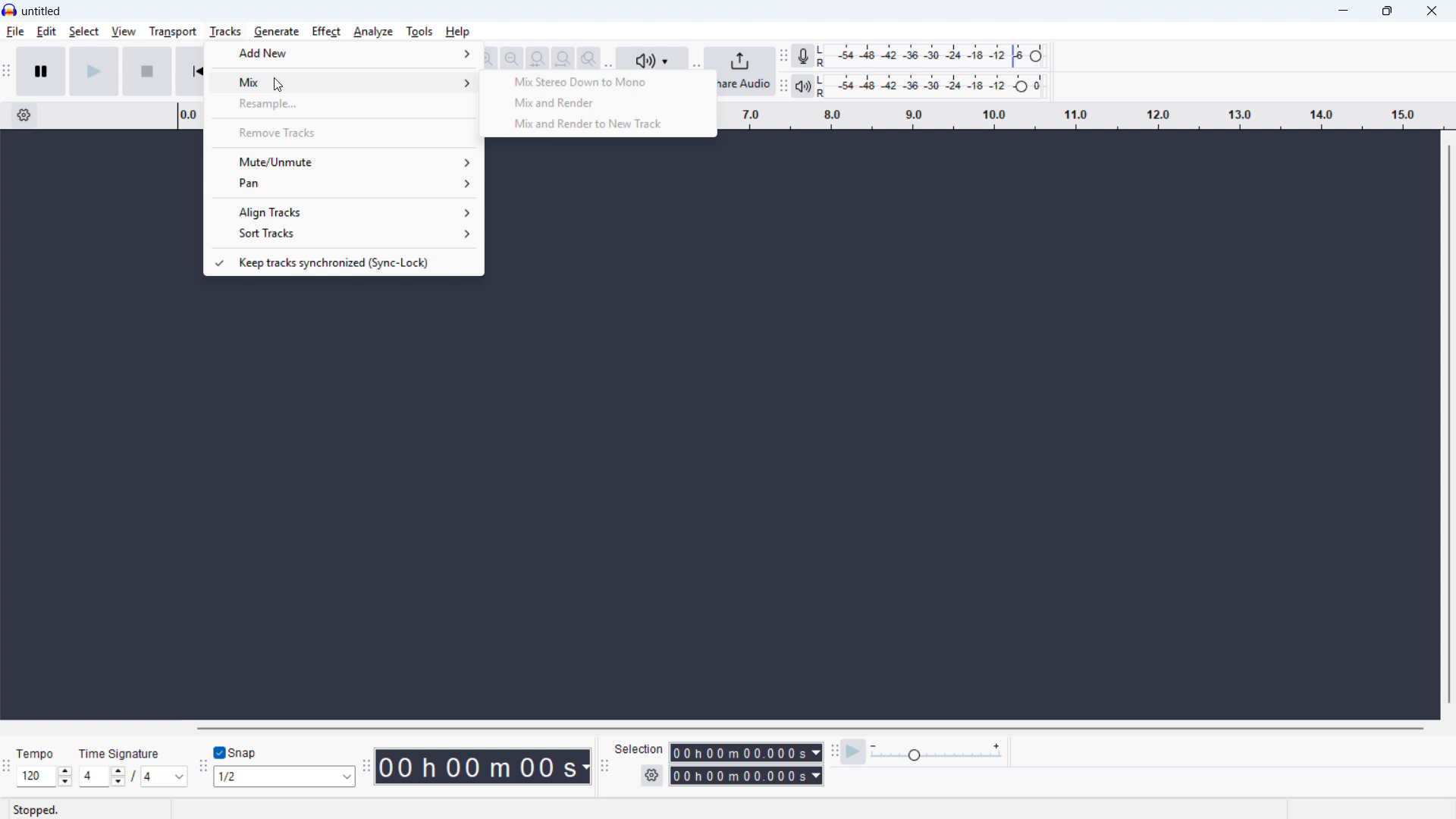 The image size is (1456, 819). What do you see at coordinates (802, 85) in the screenshot?
I see `playback metre toolbar ` at bounding box center [802, 85].